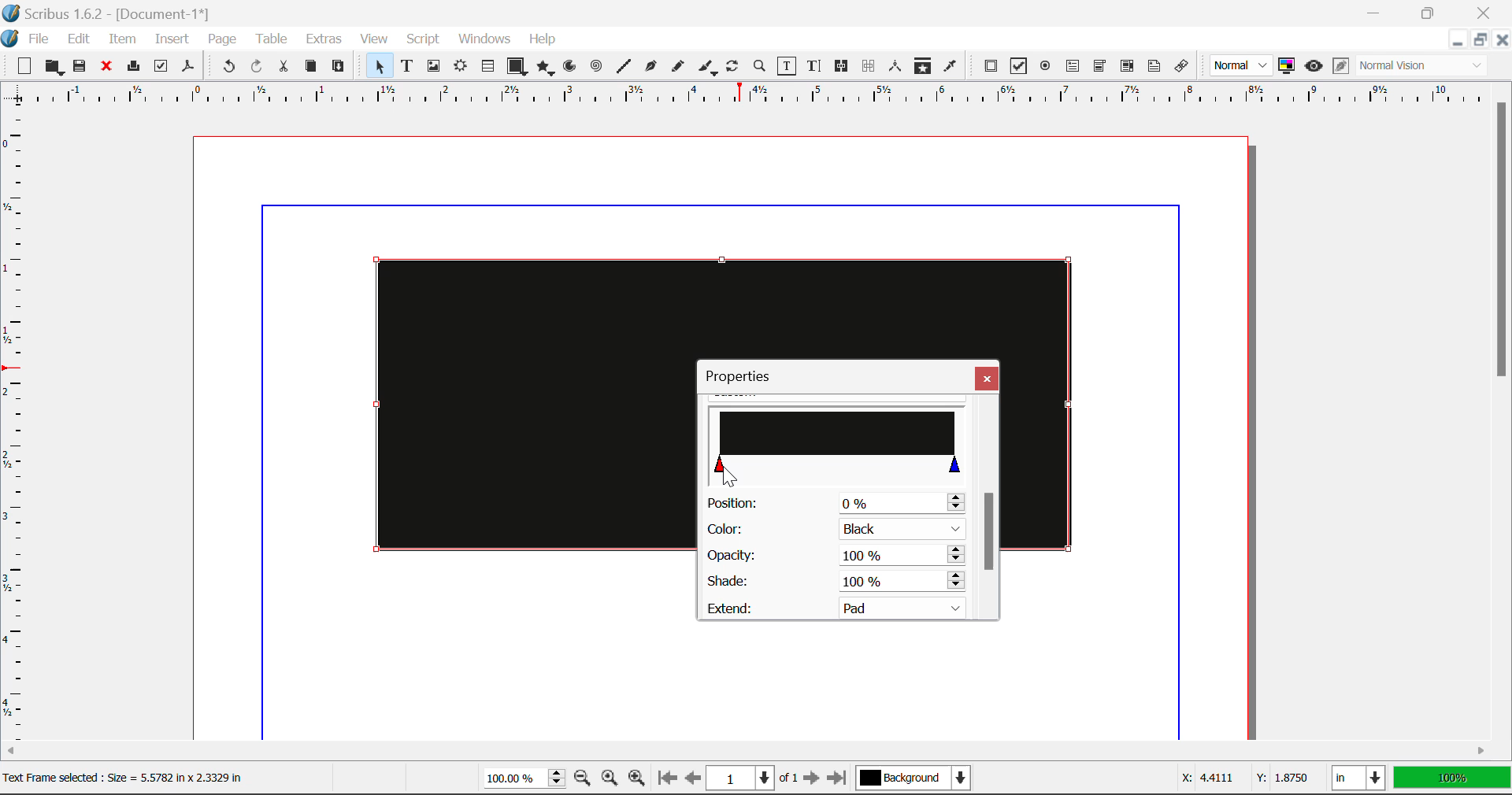 This screenshot has height=795, width=1512. I want to click on MOUSE_DOWN on Gradient Slider, so click(727, 472).